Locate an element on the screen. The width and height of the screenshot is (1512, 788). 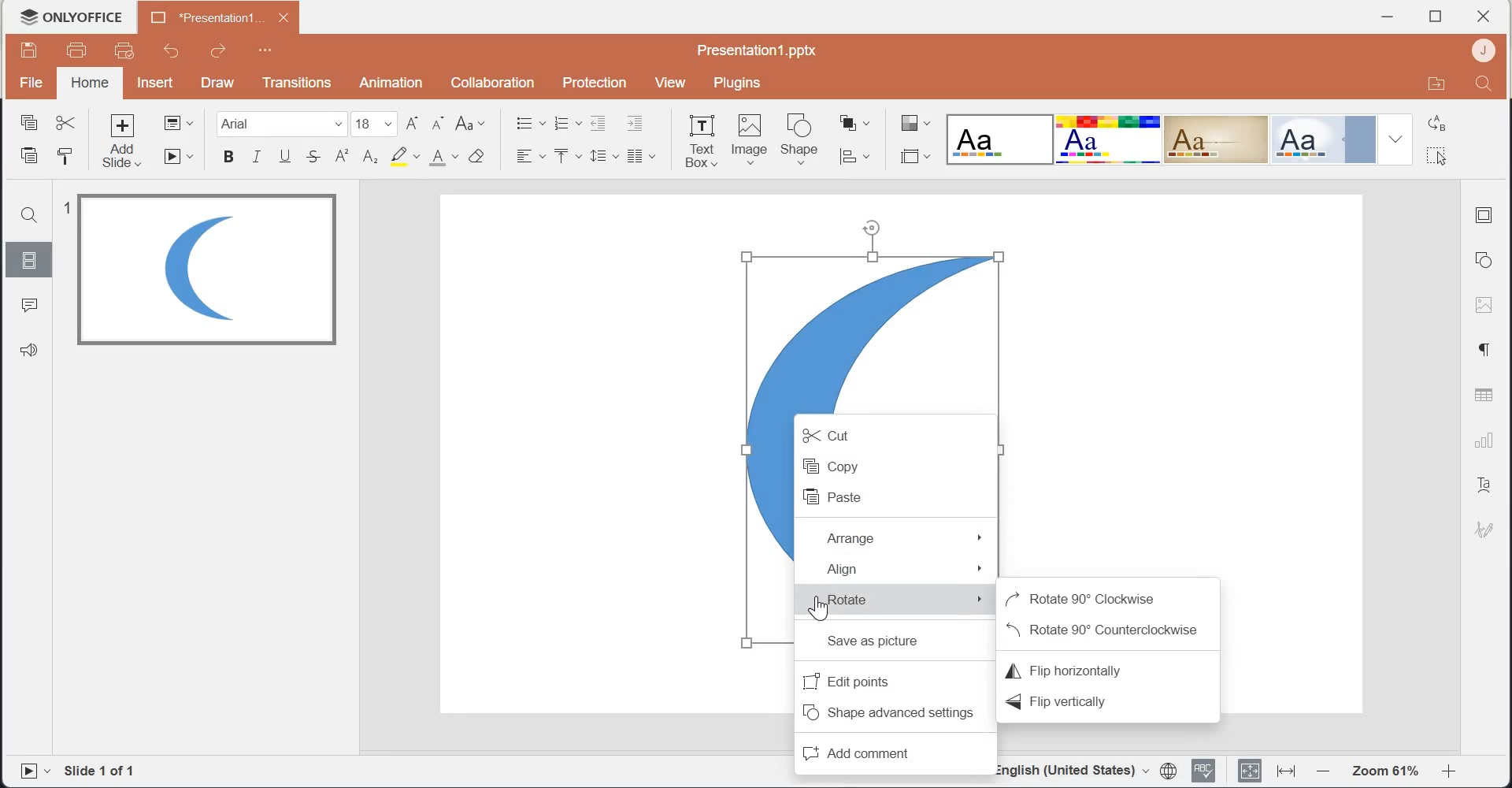
Line spacing is located at coordinates (605, 157).